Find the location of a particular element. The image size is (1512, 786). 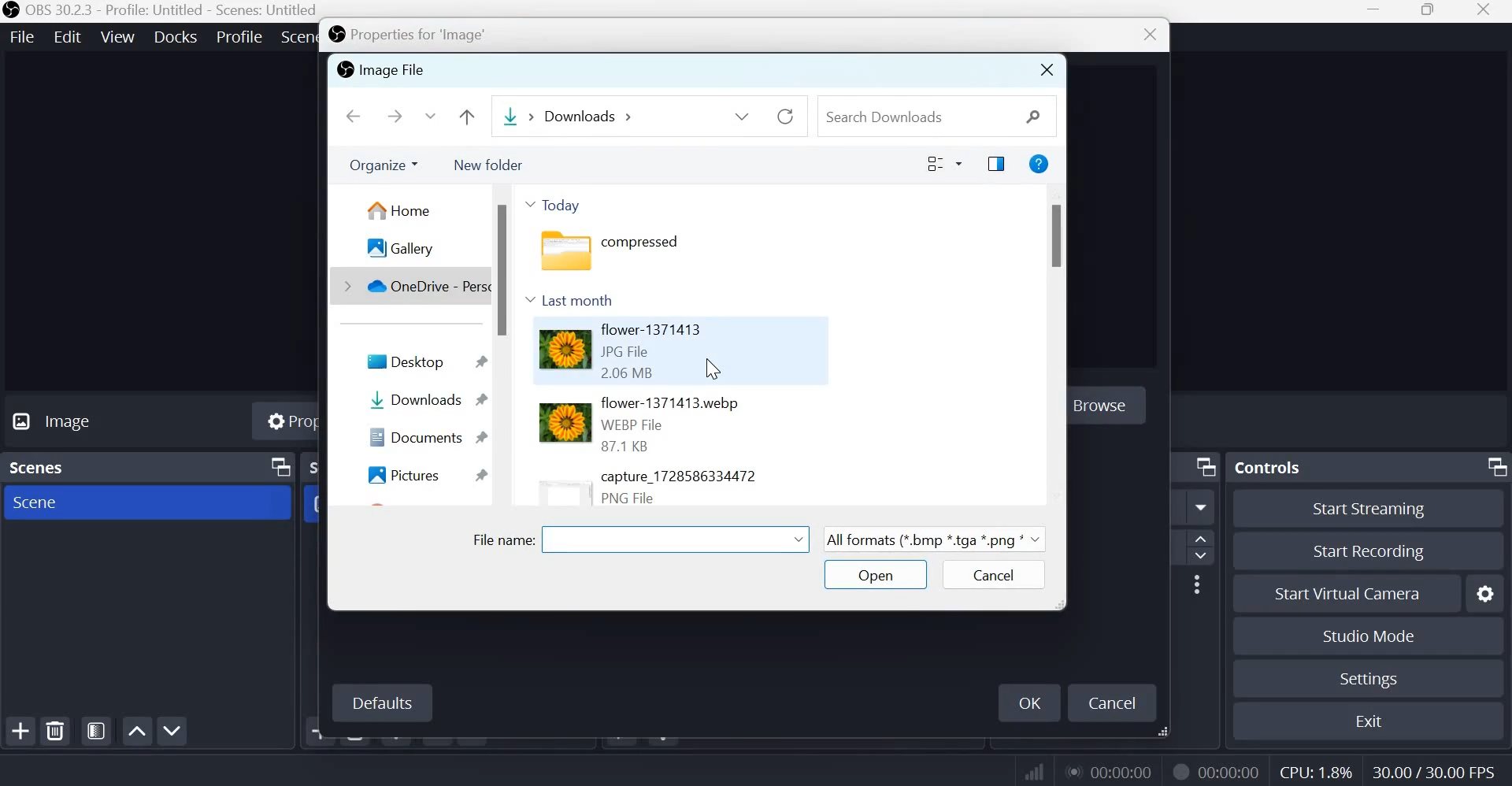

Close is located at coordinates (1145, 36).